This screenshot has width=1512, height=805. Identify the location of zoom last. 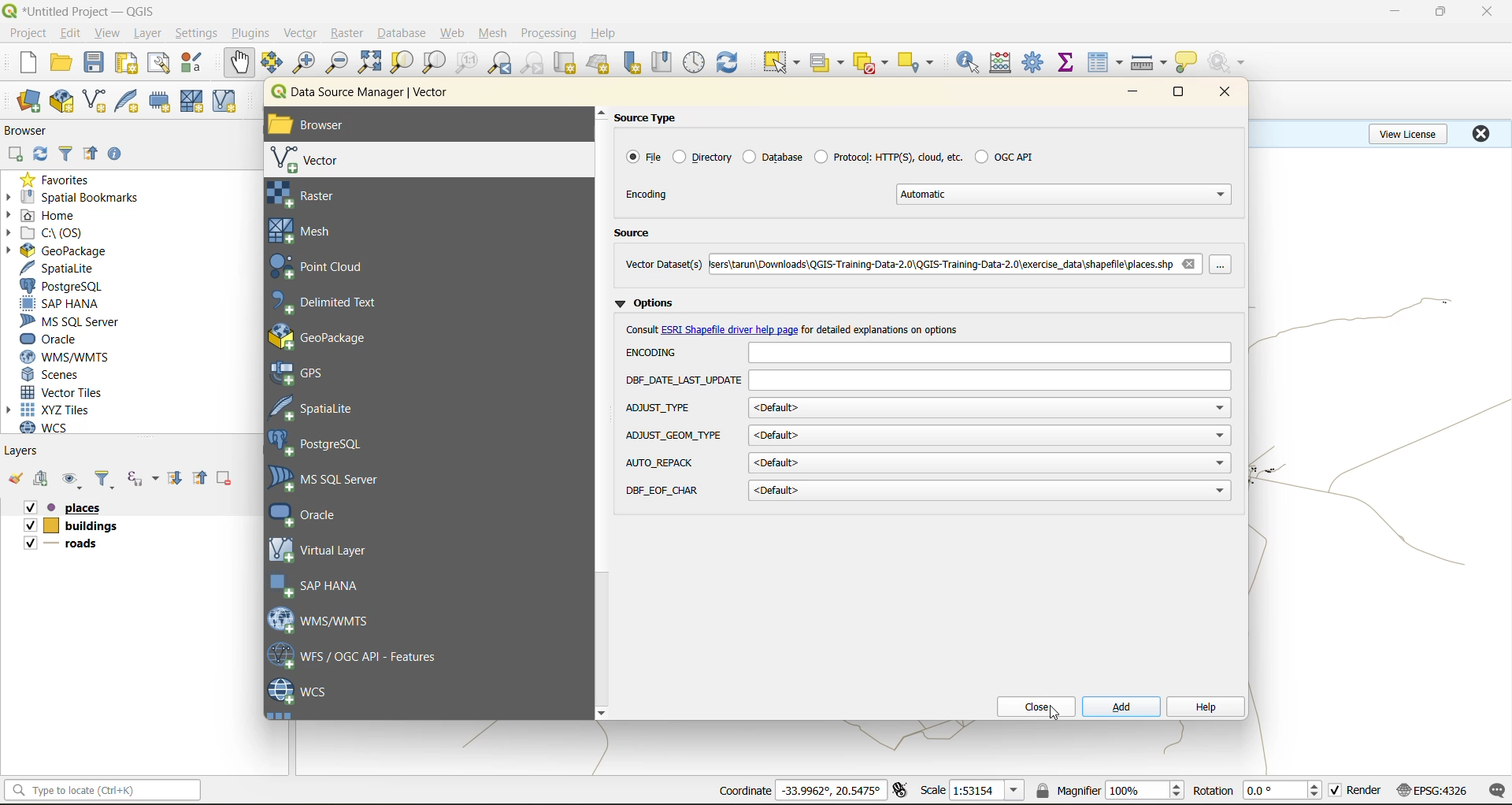
(499, 63).